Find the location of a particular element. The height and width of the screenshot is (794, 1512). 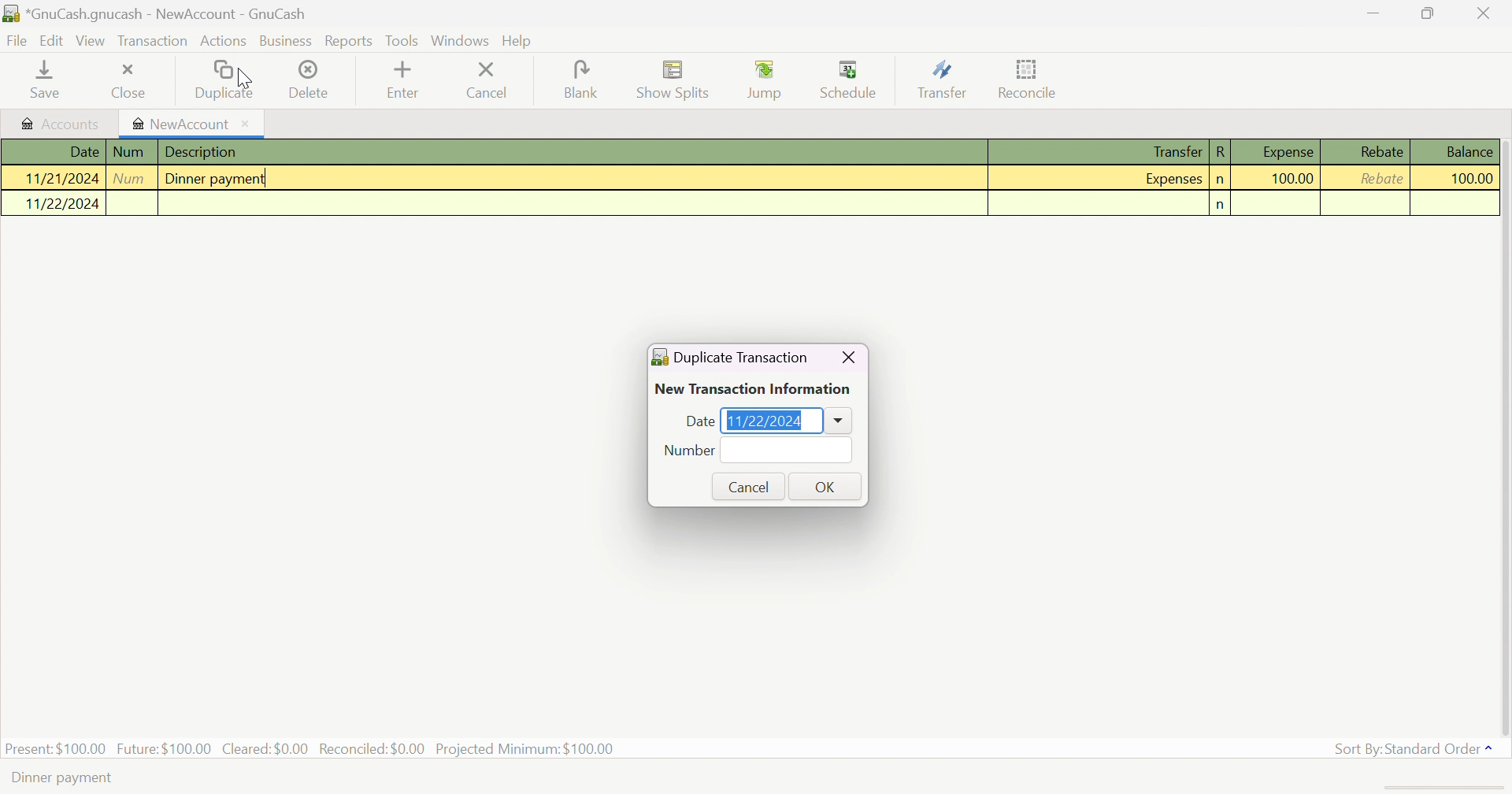

Software logo is located at coordinates (659, 357).